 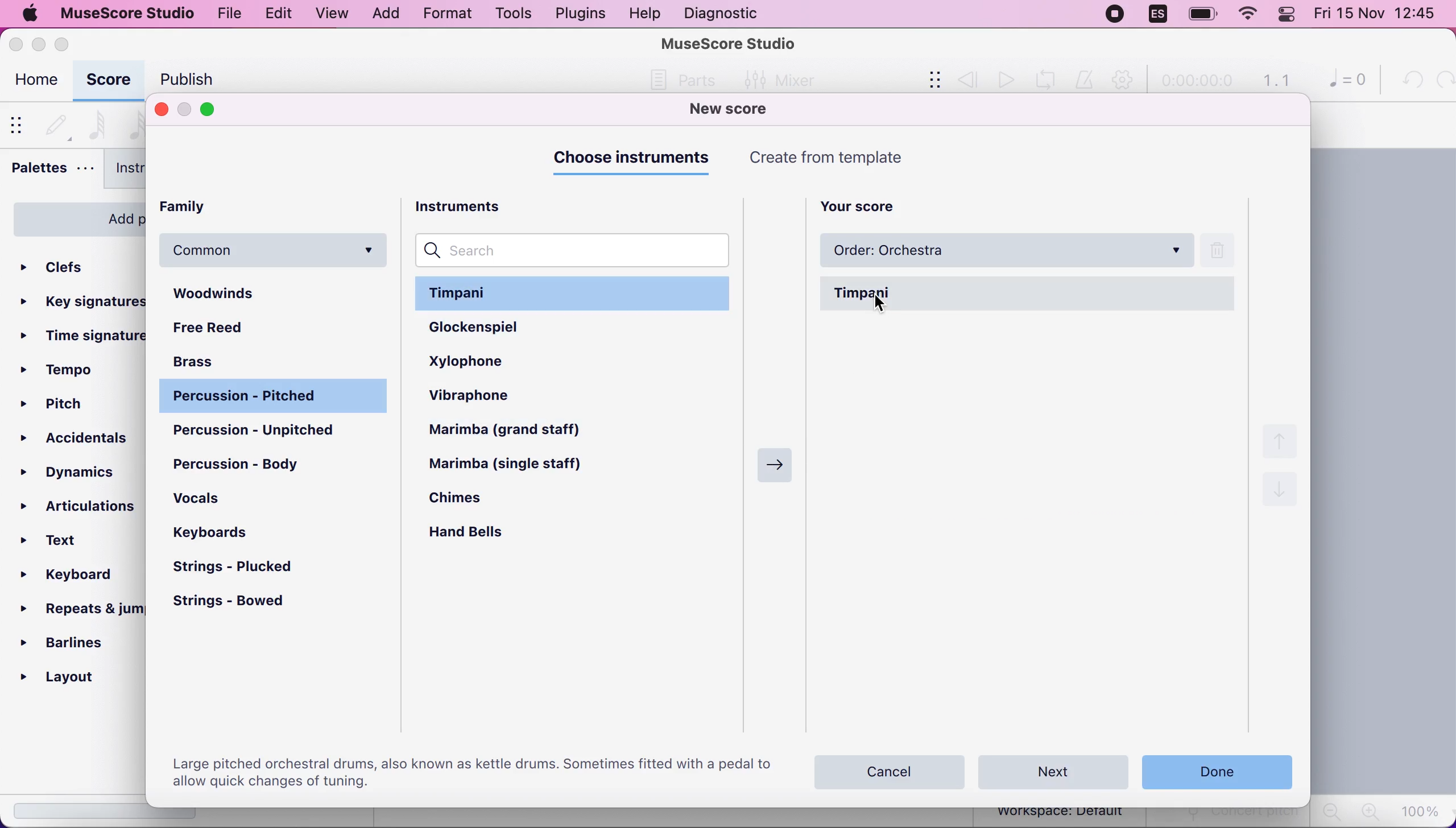 What do you see at coordinates (1442, 80) in the screenshot?
I see `redo` at bounding box center [1442, 80].